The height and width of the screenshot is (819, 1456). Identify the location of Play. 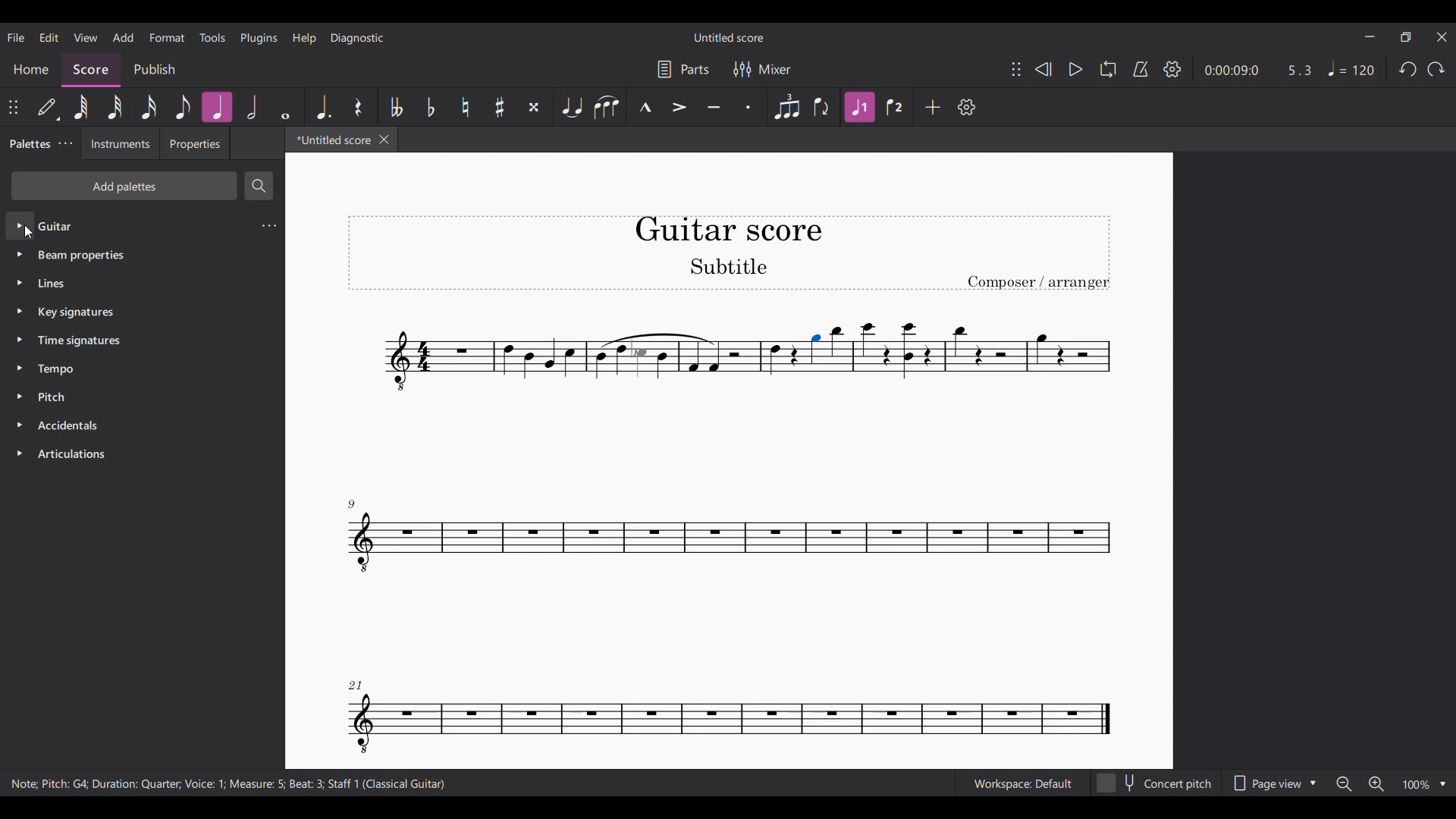
(1076, 70).